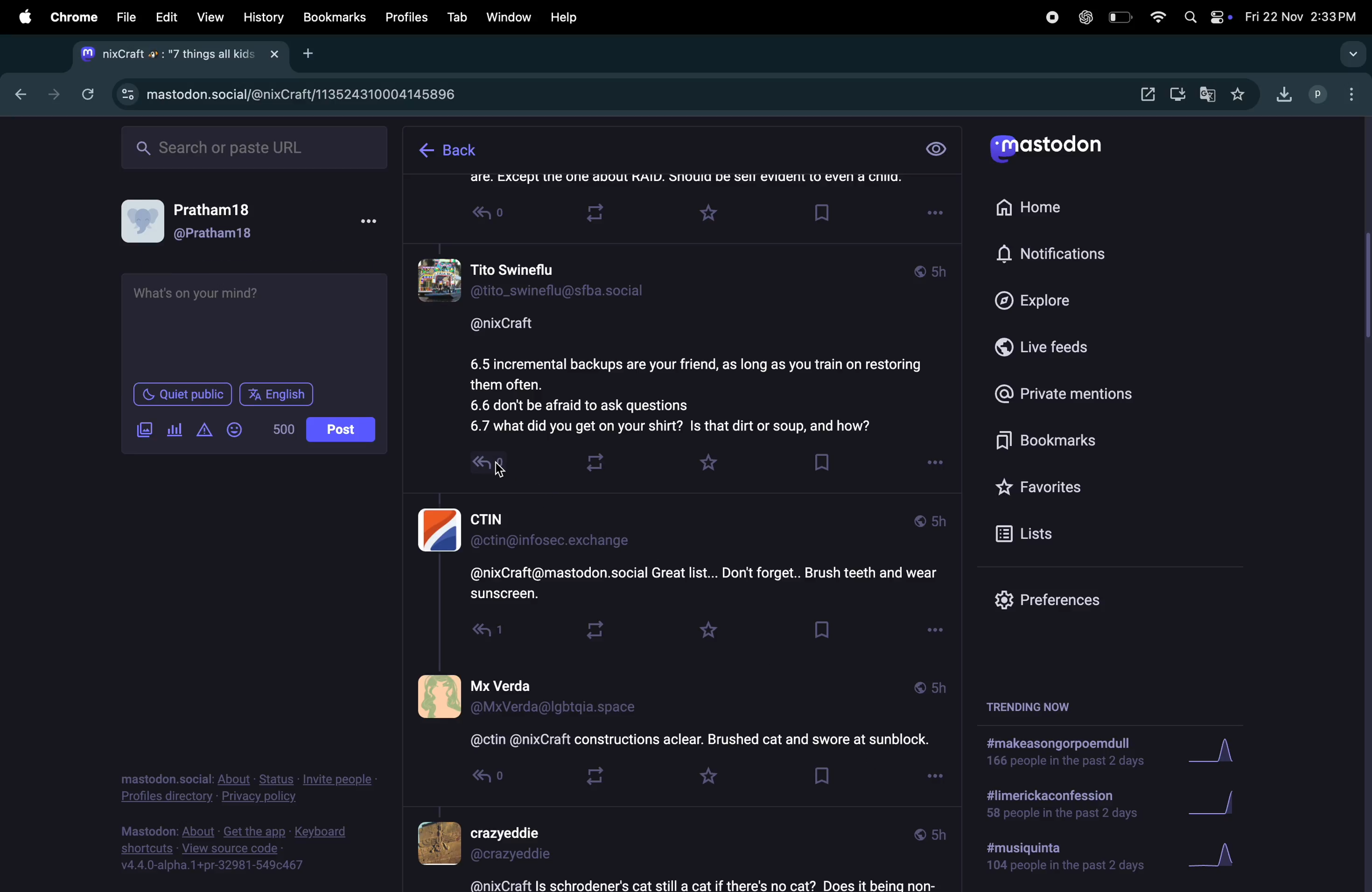  What do you see at coordinates (203, 430) in the screenshot?
I see `add content waning` at bounding box center [203, 430].